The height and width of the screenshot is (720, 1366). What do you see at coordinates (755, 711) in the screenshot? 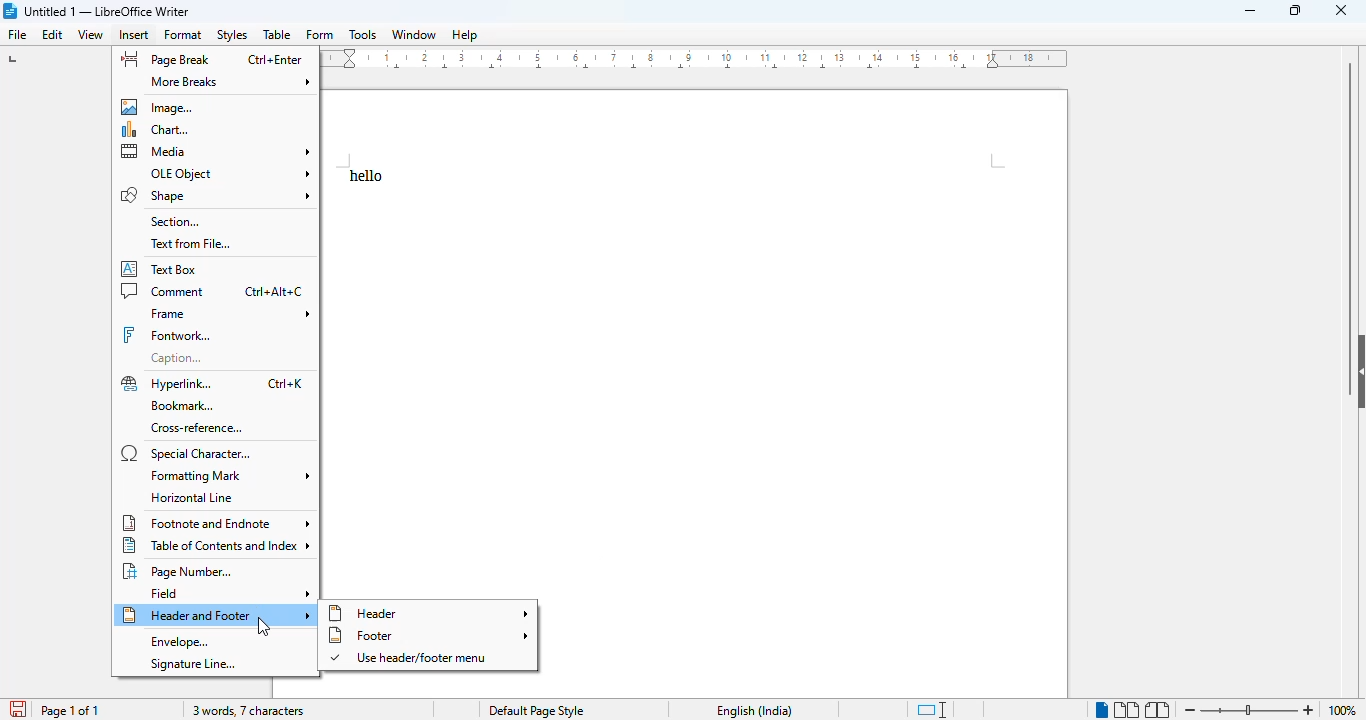
I see `text language` at bounding box center [755, 711].